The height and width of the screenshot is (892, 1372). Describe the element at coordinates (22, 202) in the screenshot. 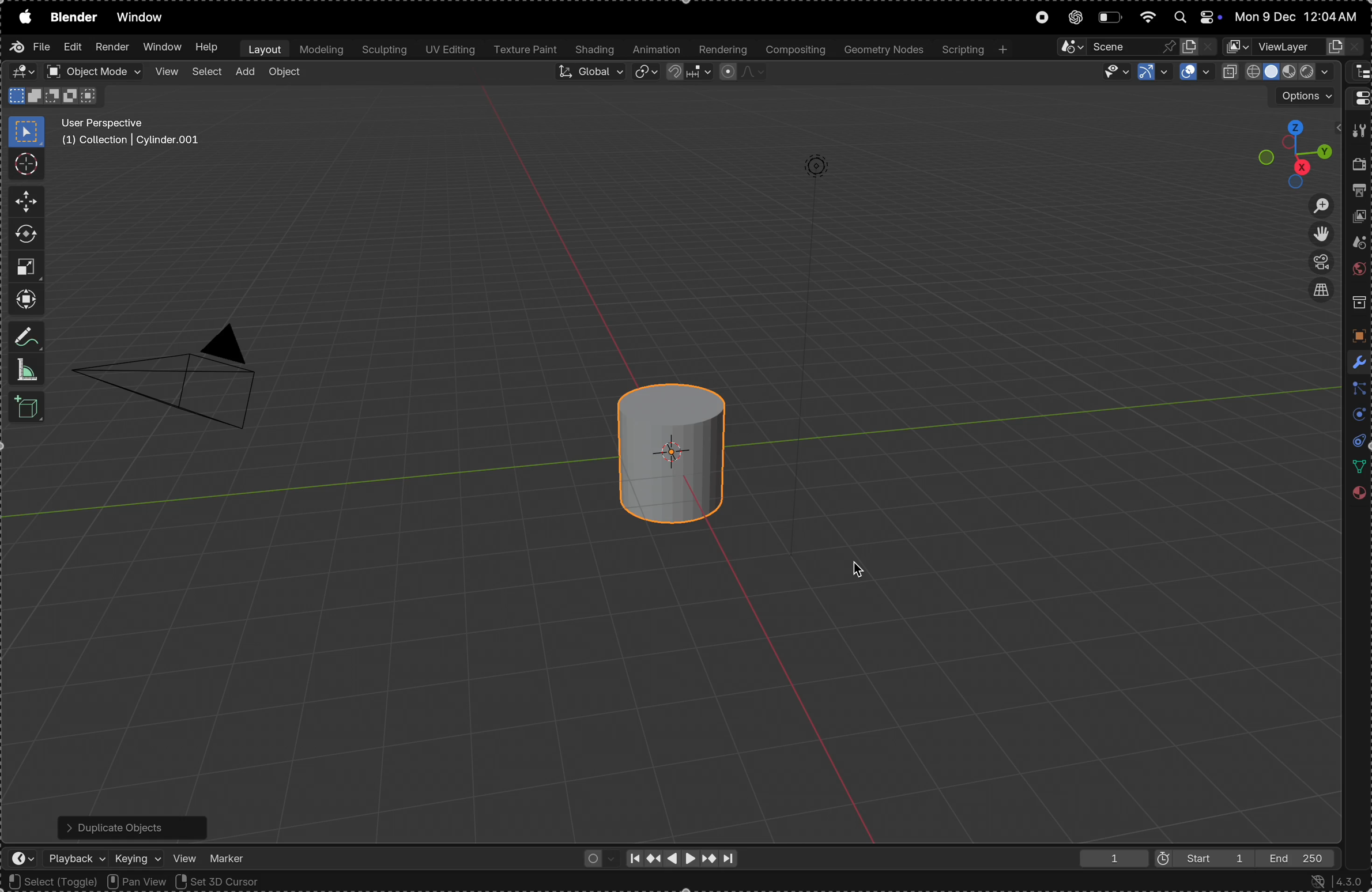

I see `move` at that location.